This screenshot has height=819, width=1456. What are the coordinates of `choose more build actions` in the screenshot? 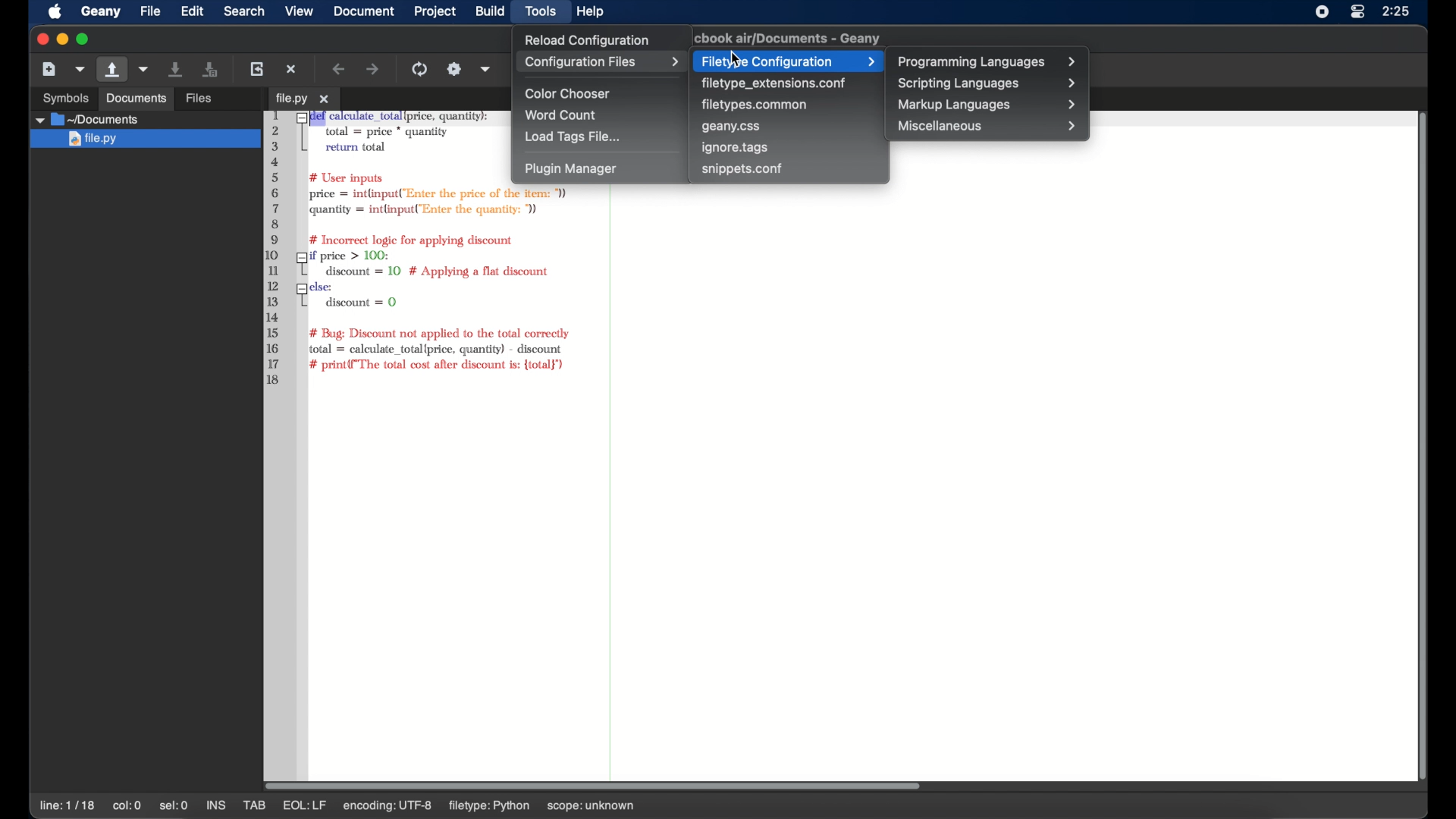 It's located at (486, 69).